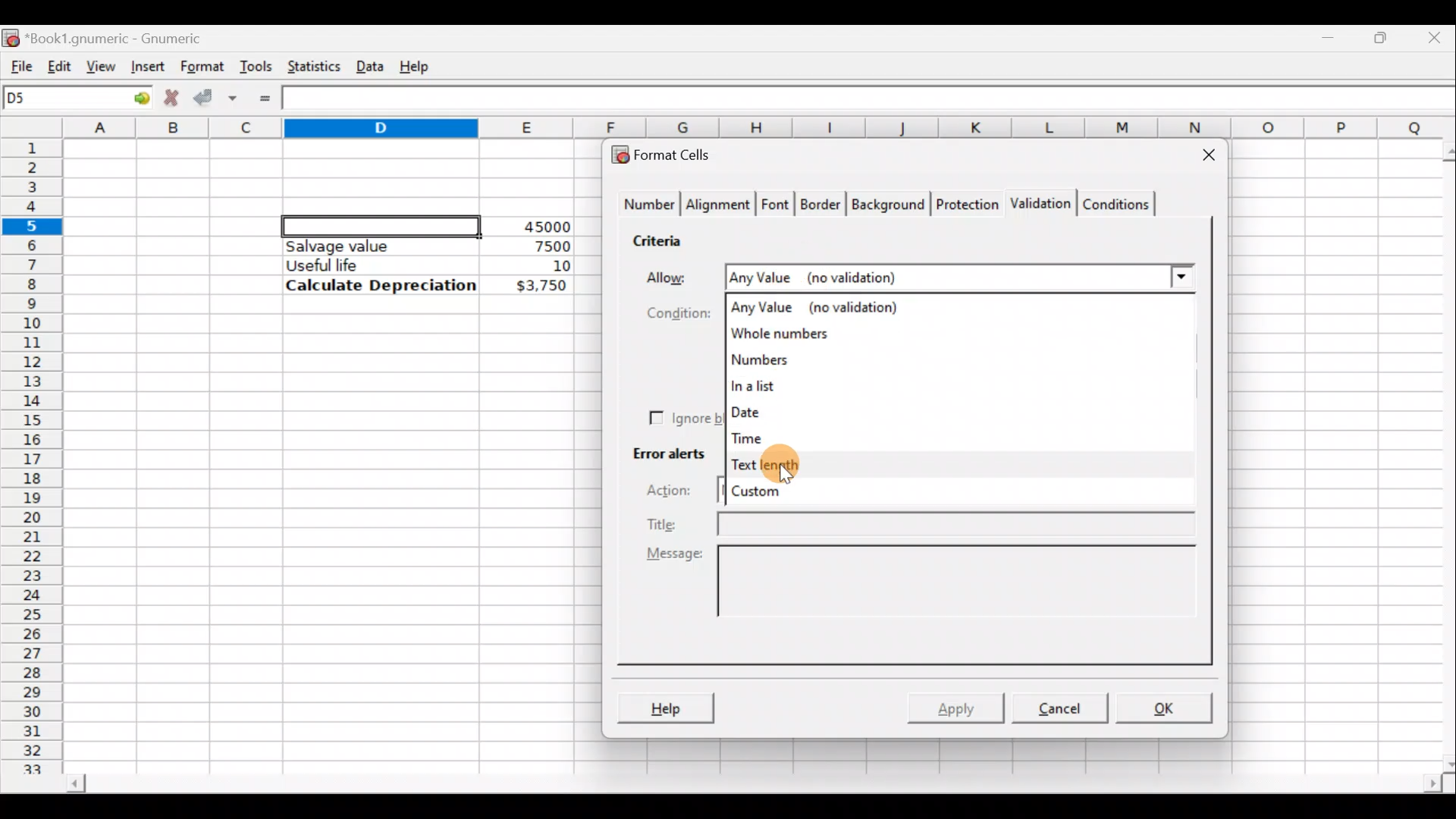 Image resolution: width=1456 pixels, height=819 pixels. What do you see at coordinates (669, 312) in the screenshot?
I see `Condition` at bounding box center [669, 312].